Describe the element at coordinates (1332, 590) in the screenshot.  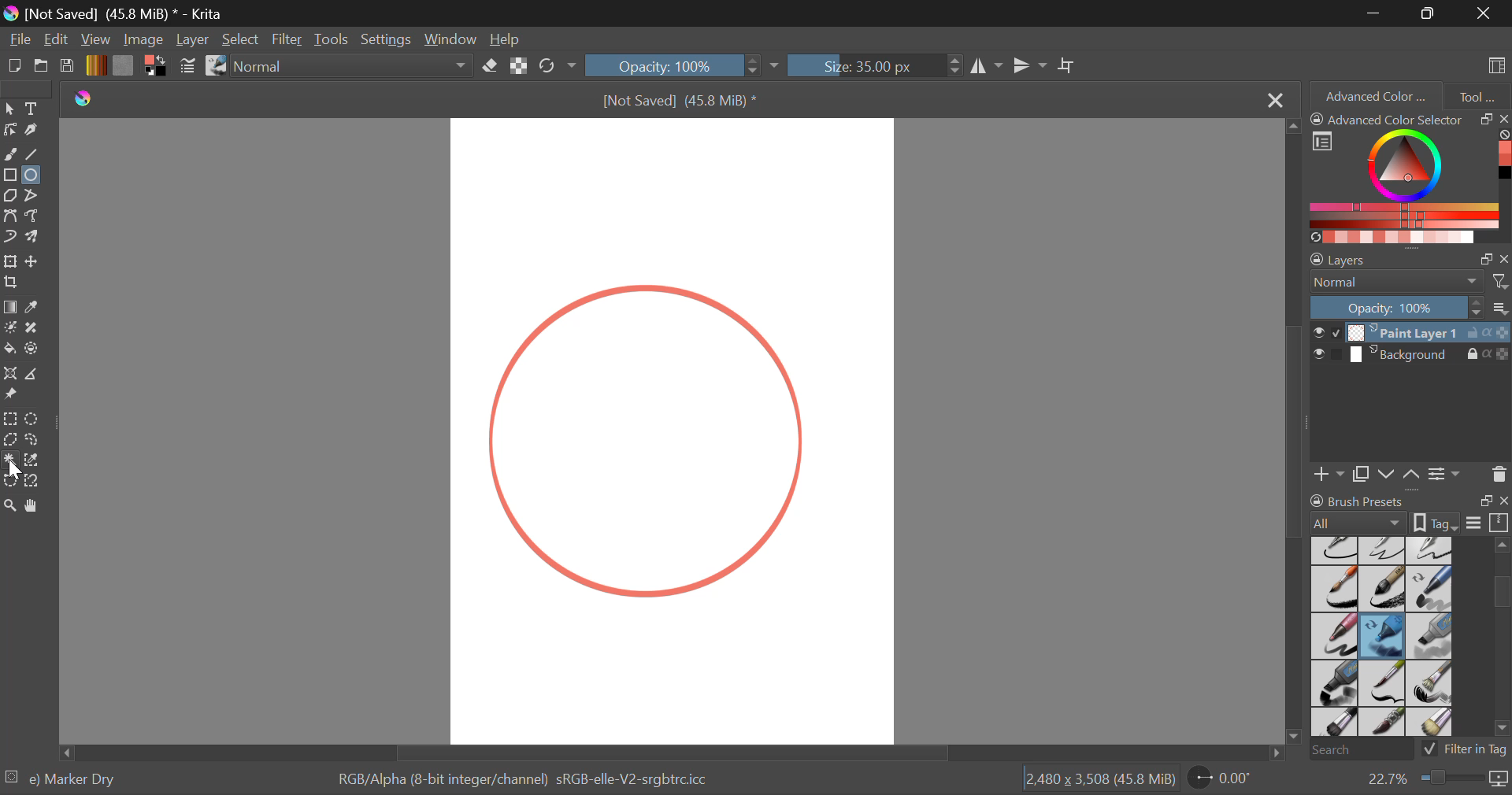
I see `Ink-7 Brush Rough` at that location.